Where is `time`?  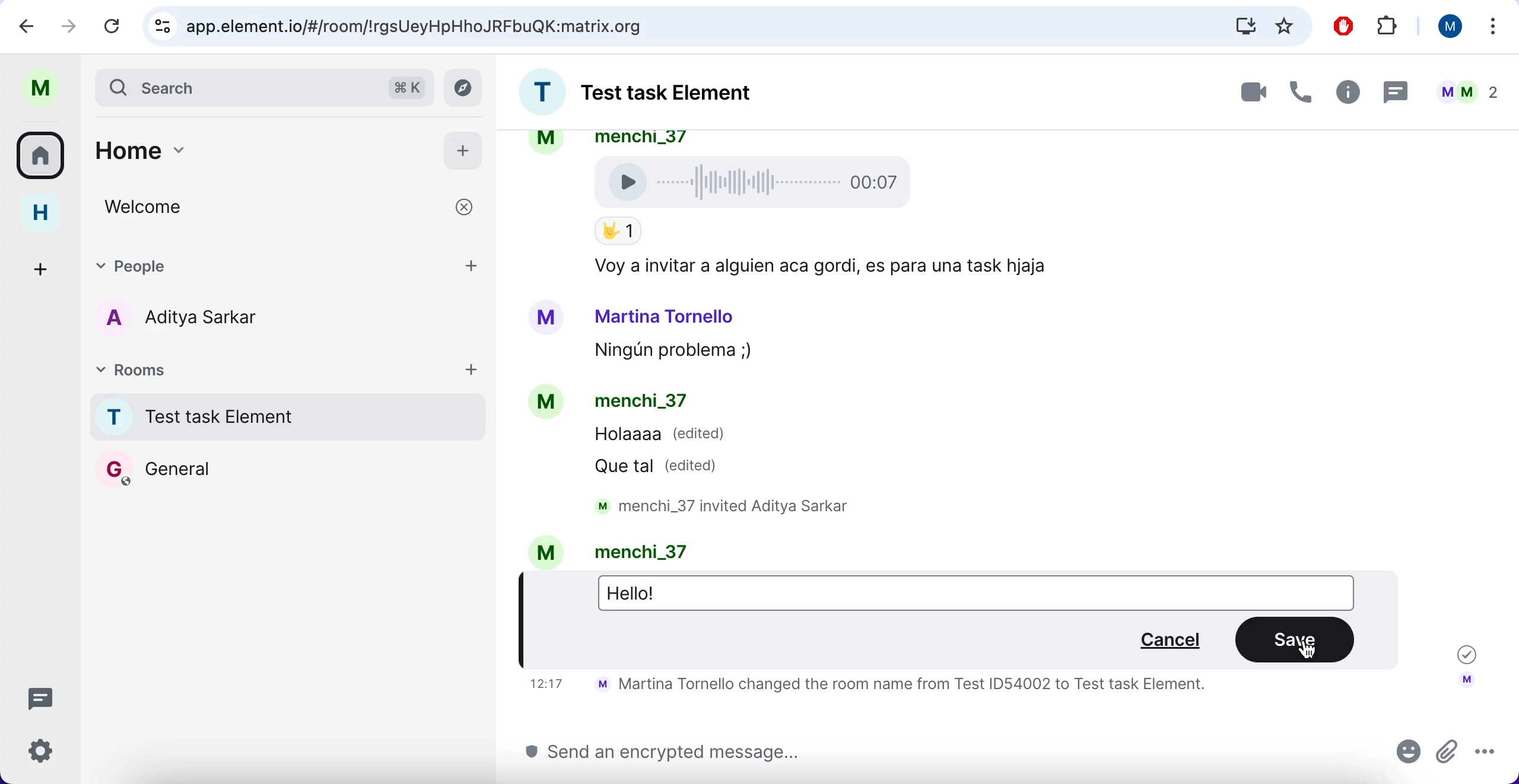 time is located at coordinates (545, 685).